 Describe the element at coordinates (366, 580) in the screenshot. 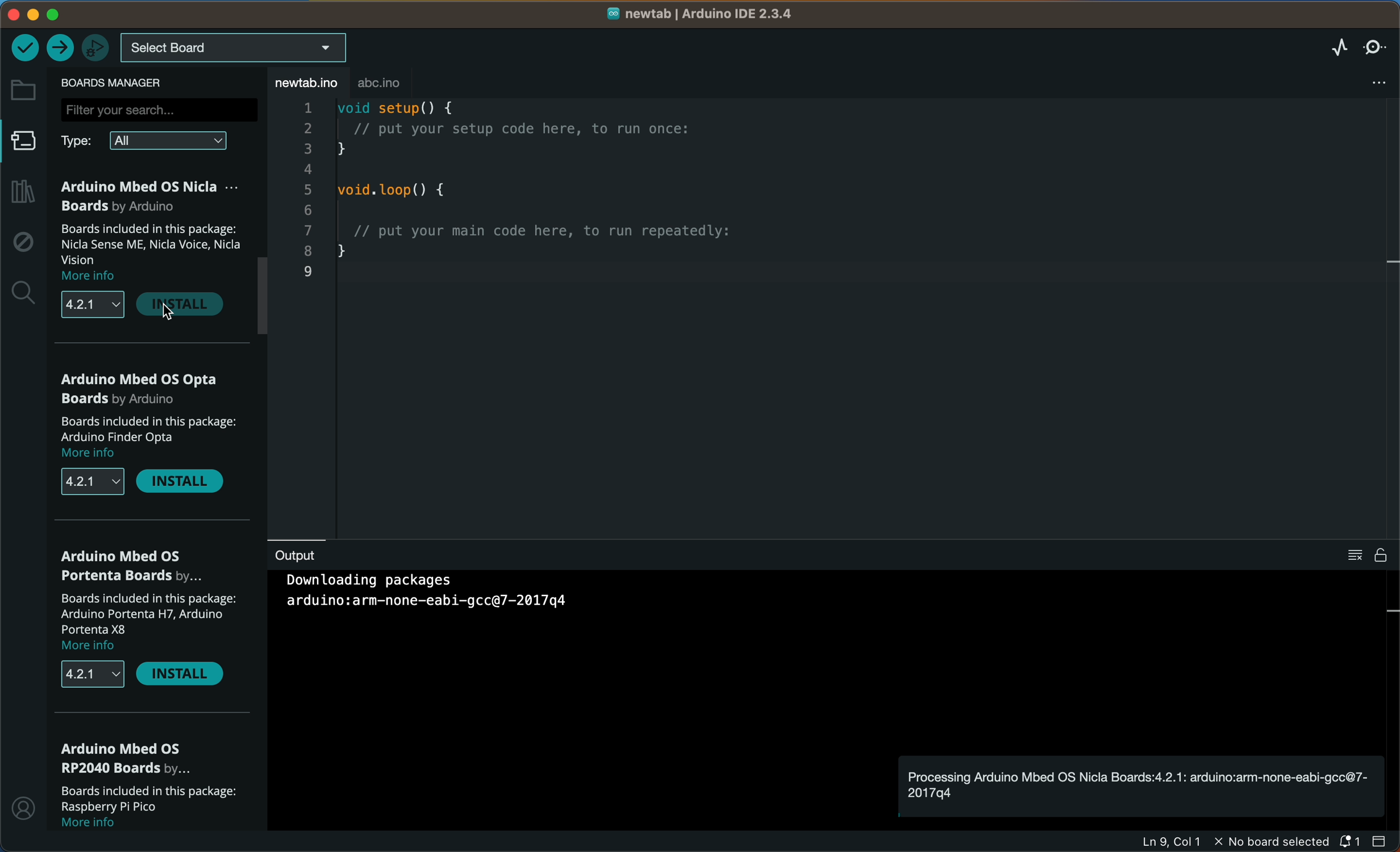

I see `downloading` at that location.